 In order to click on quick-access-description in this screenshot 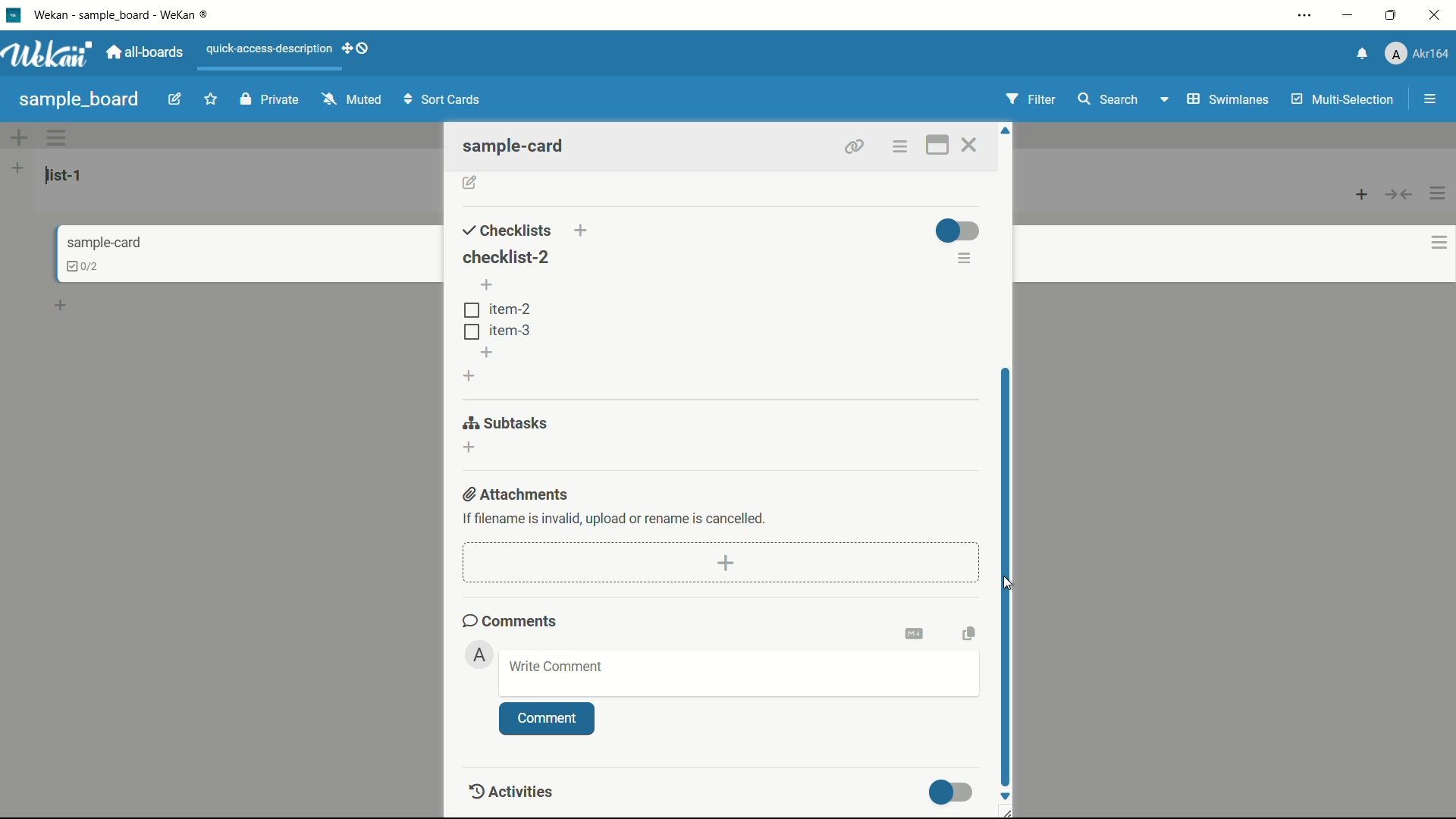, I will do `click(269, 49)`.